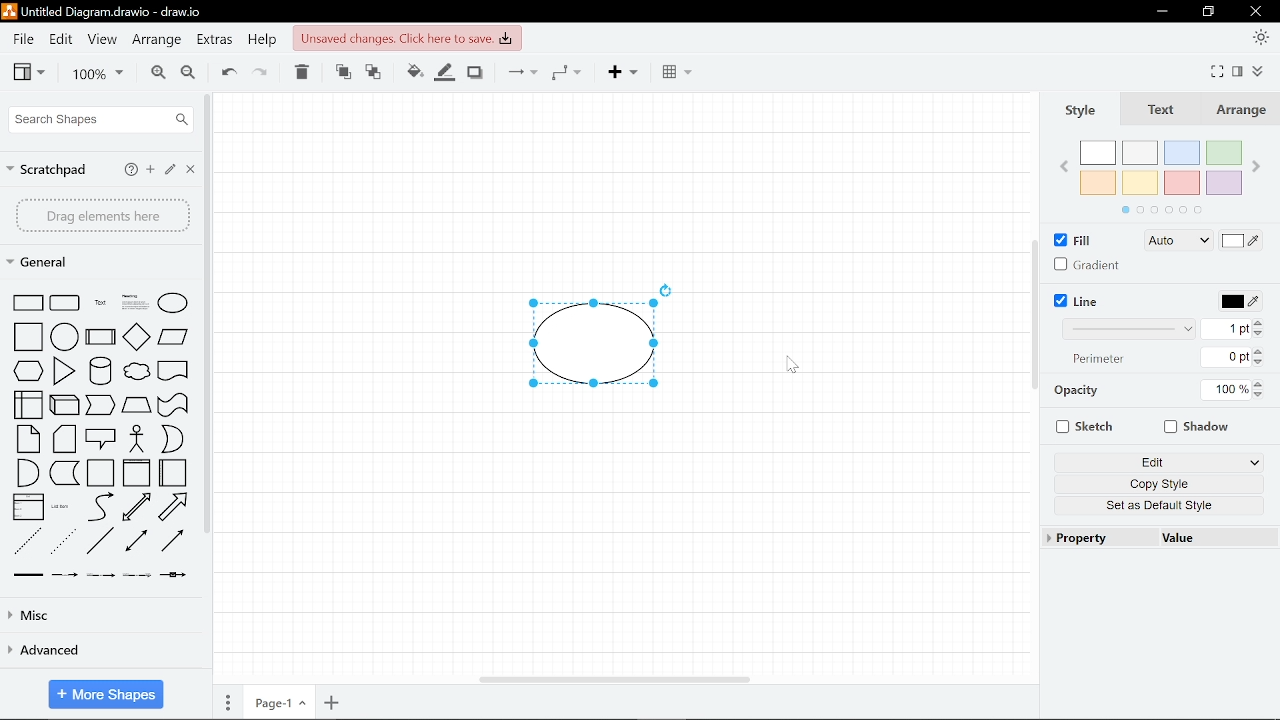  Describe the element at coordinates (412, 73) in the screenshot. I see `Fill colour` at that location.